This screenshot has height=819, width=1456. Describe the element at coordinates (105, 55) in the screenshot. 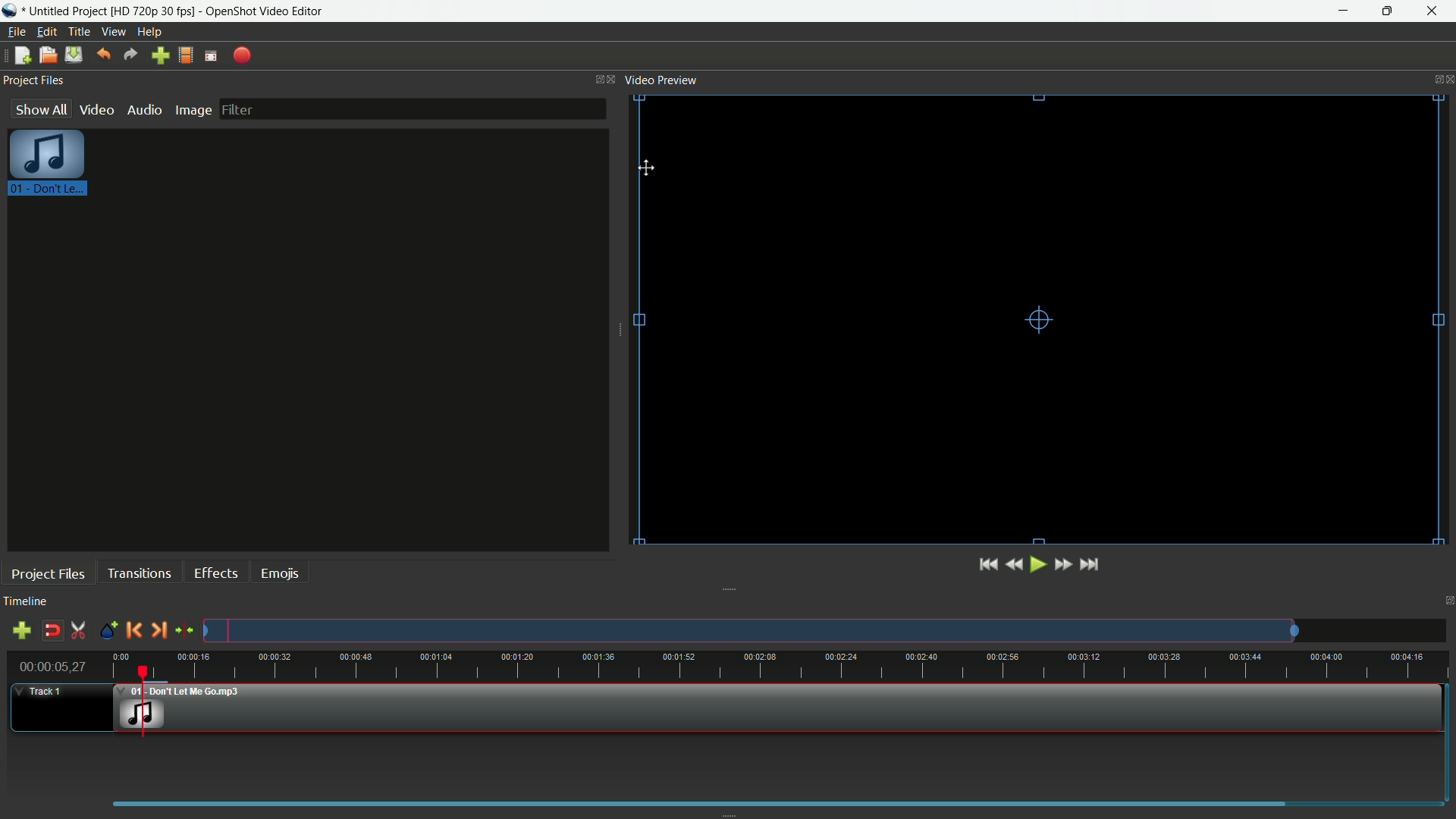

I see `undo` at that location.